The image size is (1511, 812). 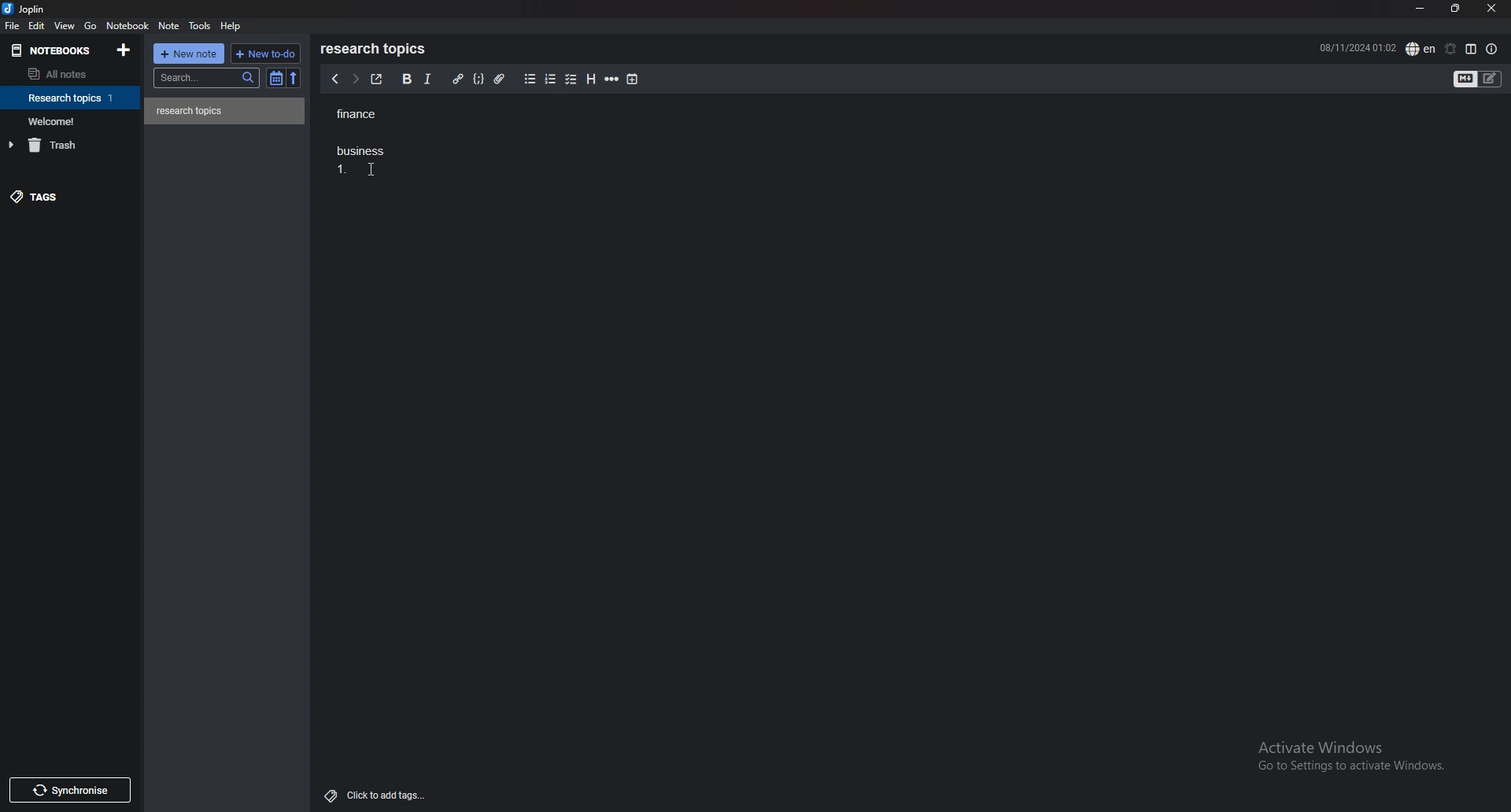 I want to click on Synchronise, so click(x=73, y=789).